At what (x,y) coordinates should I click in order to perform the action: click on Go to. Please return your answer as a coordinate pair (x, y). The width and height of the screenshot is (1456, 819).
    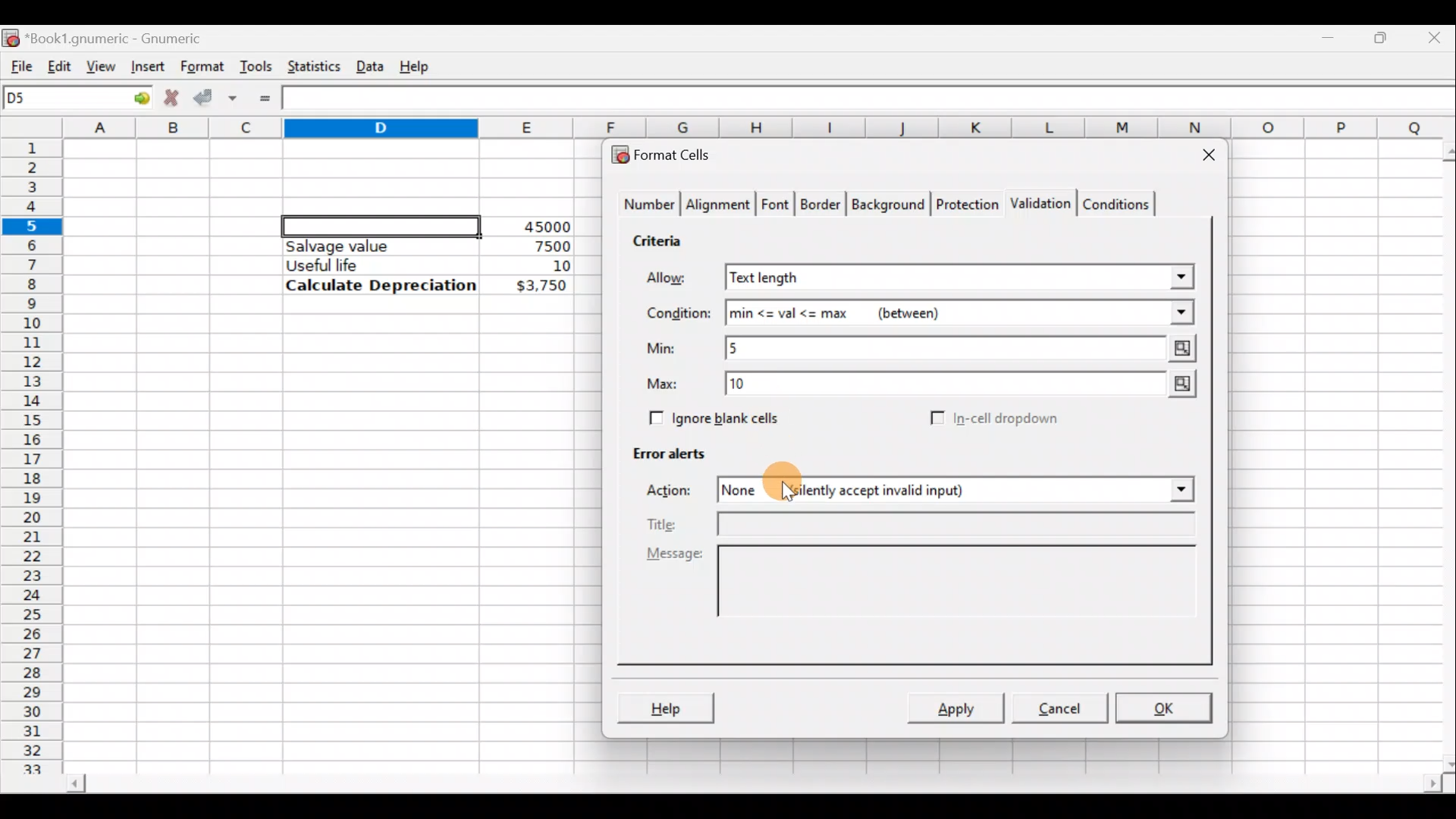
    Looking at the image, I should click on (136, 99).